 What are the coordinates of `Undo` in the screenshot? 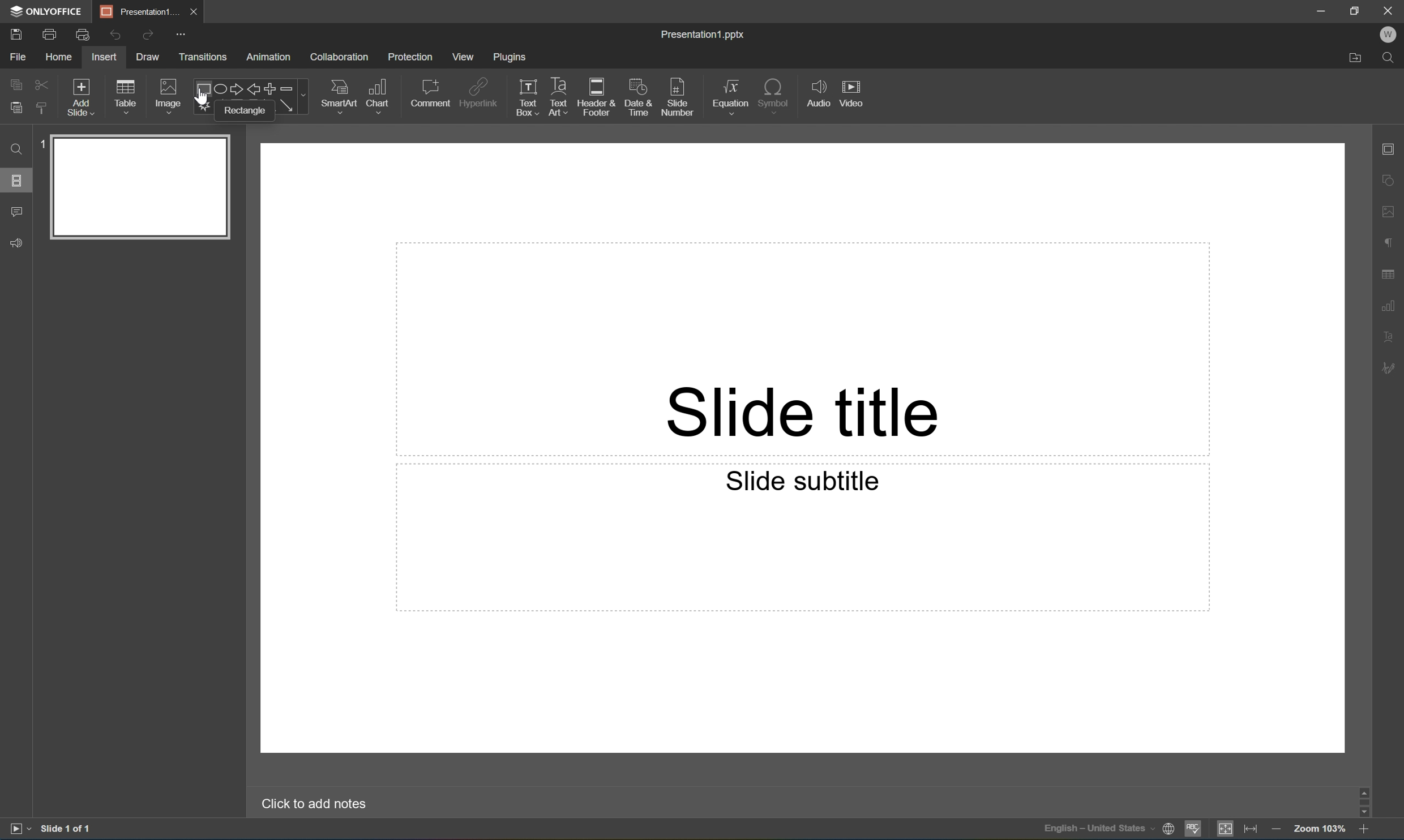 It's located at (115, 36).